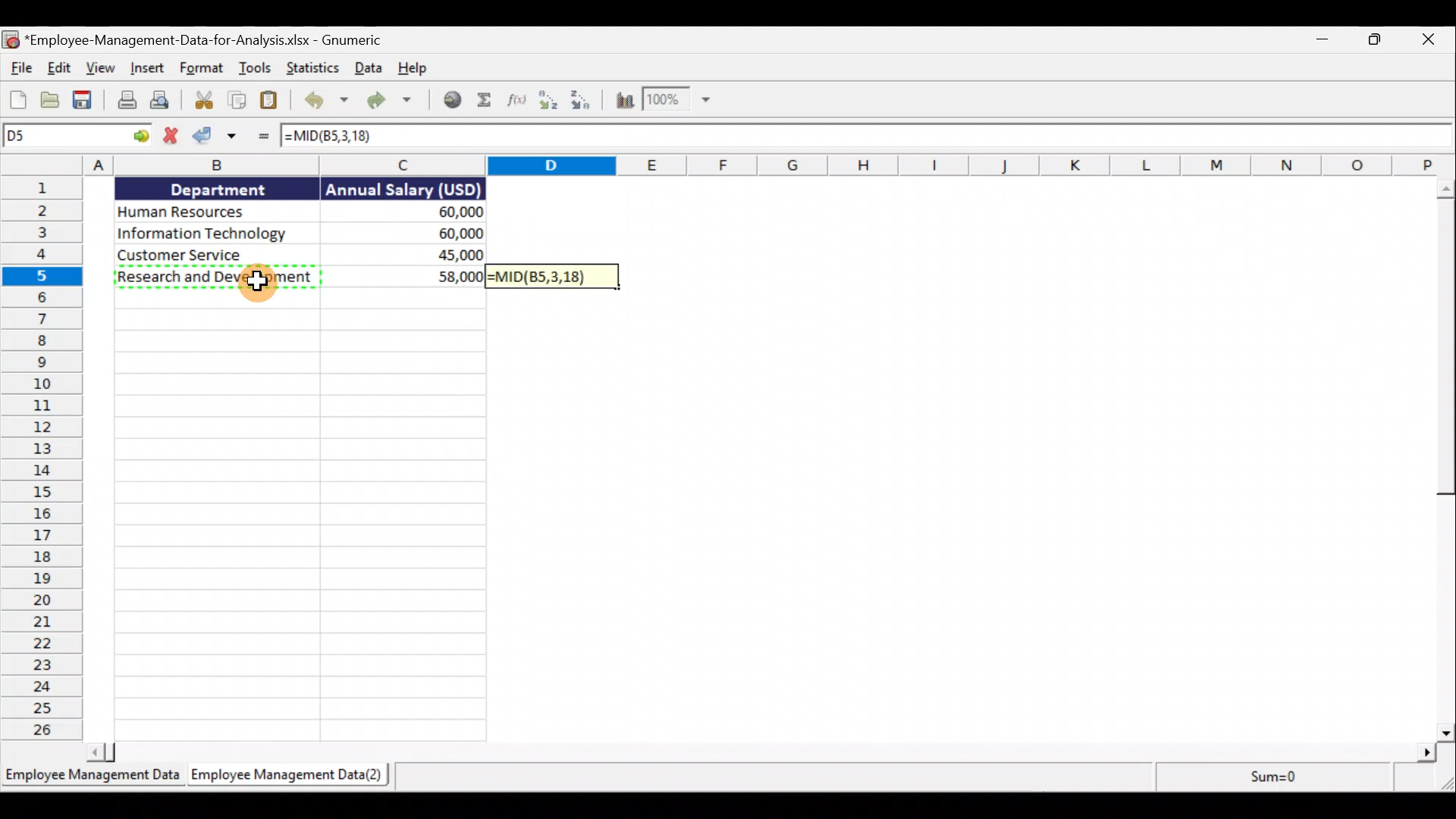  Describe the element at coordinates (257, 69) in the screenshot. I see `Tools` at that location.